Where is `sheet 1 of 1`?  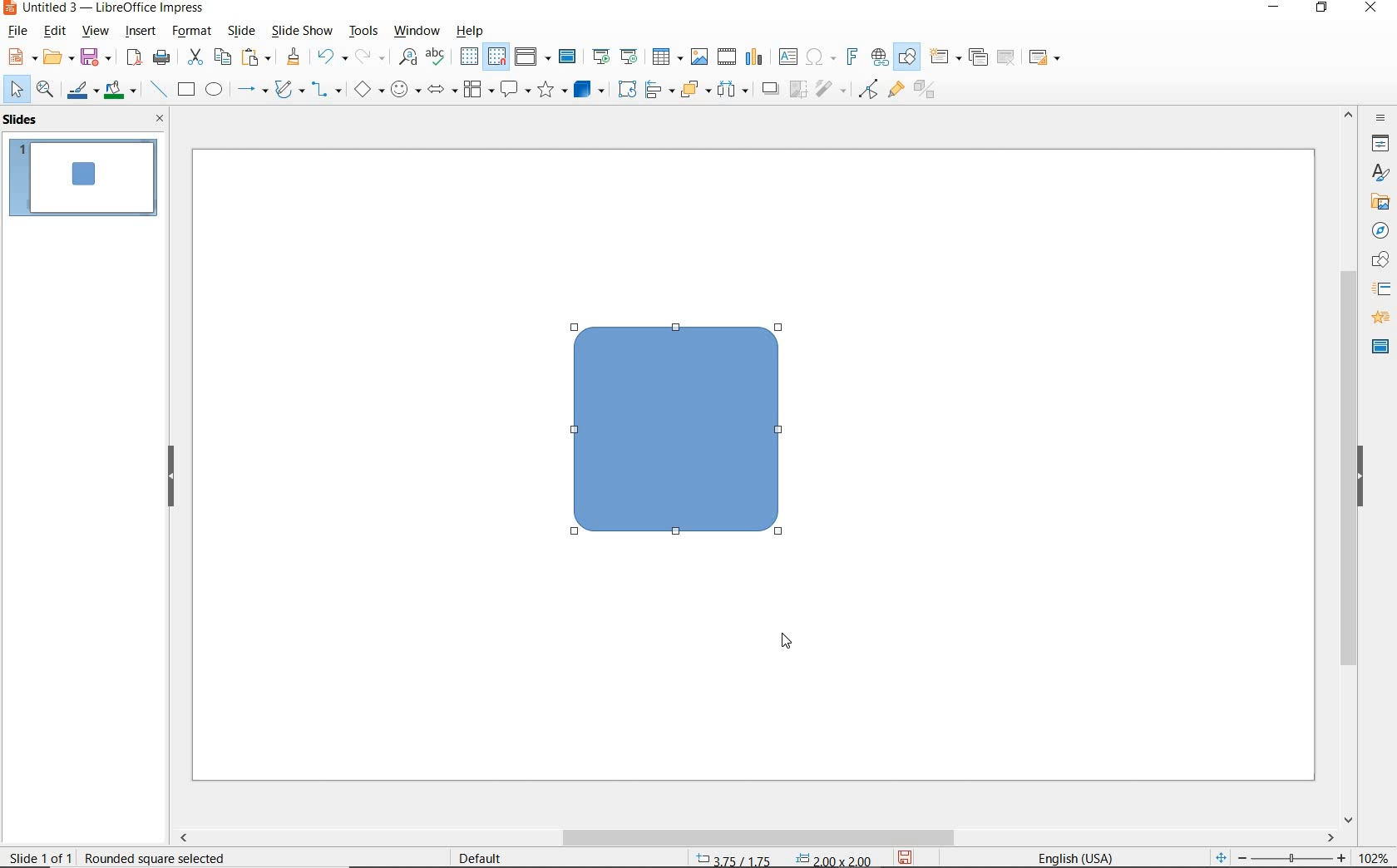 sheet 1 of 1 is located at coordinates (42, 856).